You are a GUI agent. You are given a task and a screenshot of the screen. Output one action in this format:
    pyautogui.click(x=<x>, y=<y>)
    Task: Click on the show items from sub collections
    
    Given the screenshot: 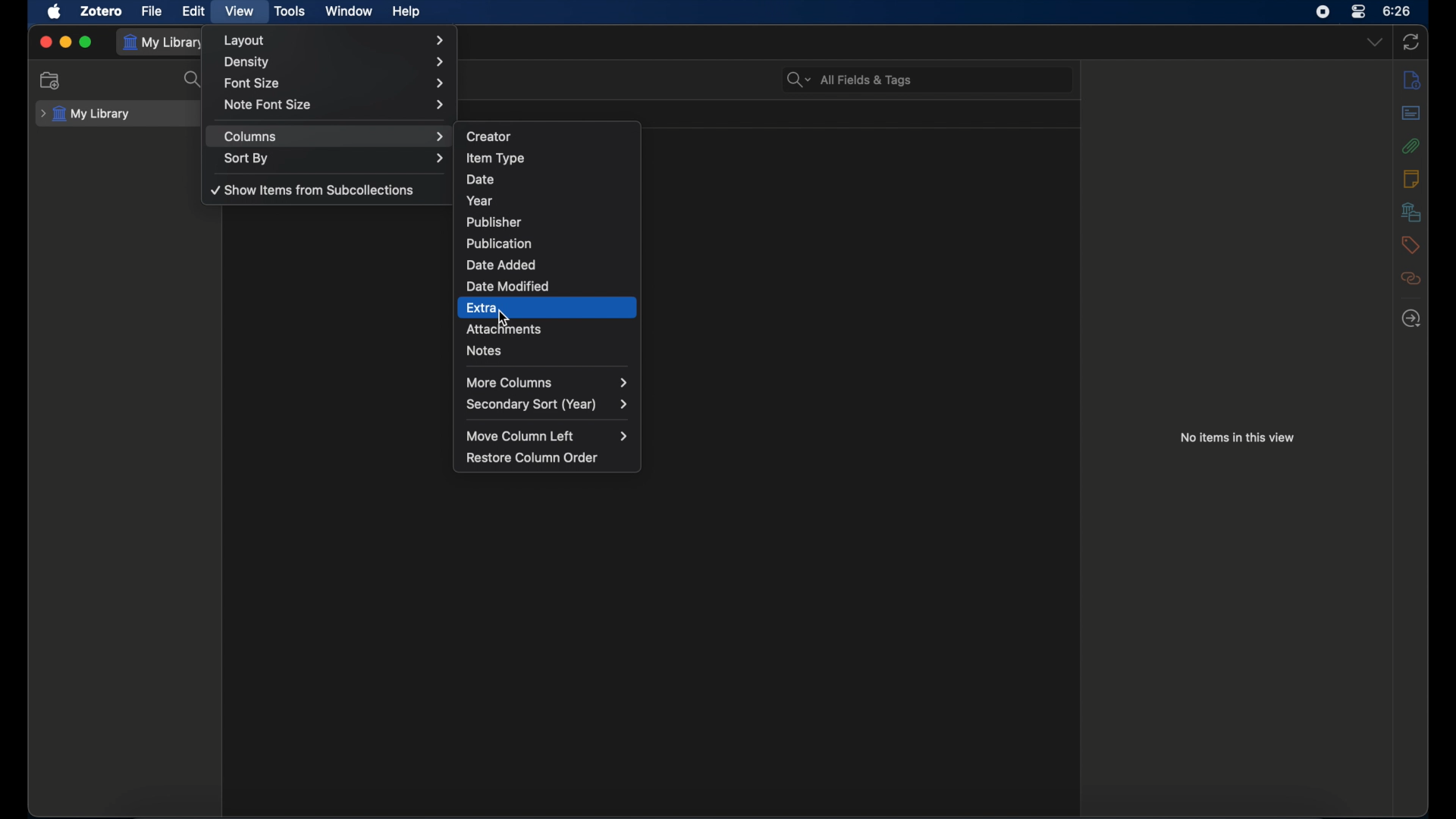 What is the action you would take?
    pyautogui.click(x=315, y=191)
    